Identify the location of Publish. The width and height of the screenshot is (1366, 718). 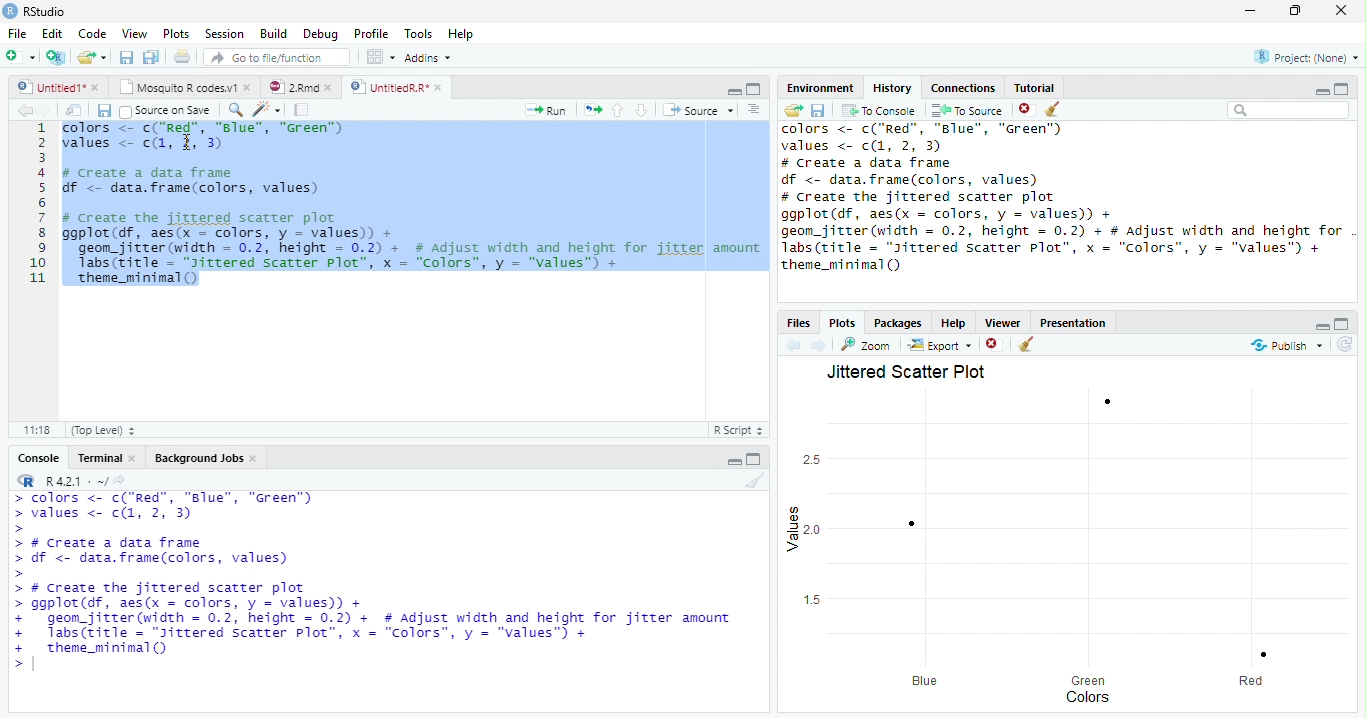
(1285, 346).